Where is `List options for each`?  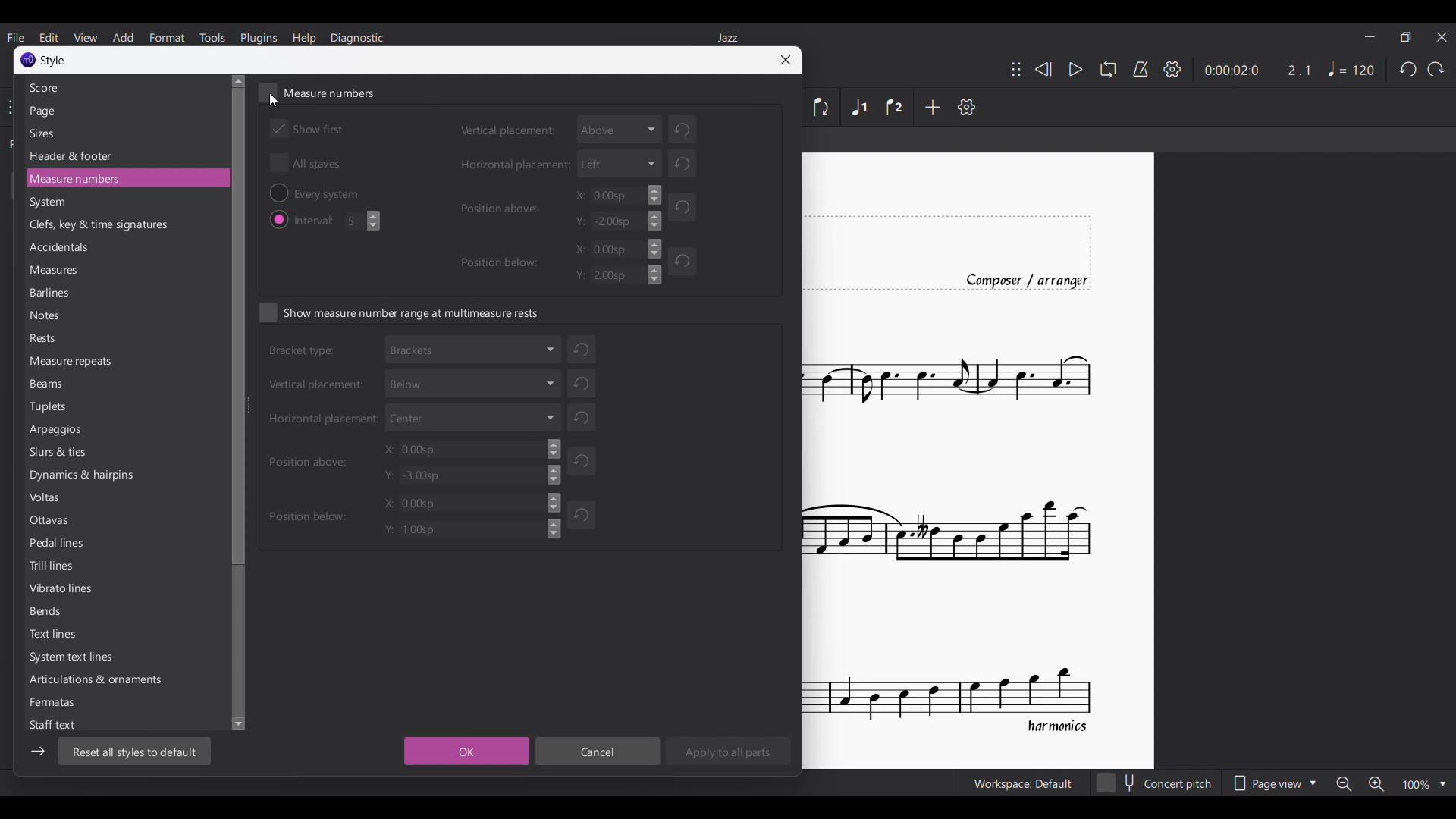
List options for each is located at coordinates (620, 129).